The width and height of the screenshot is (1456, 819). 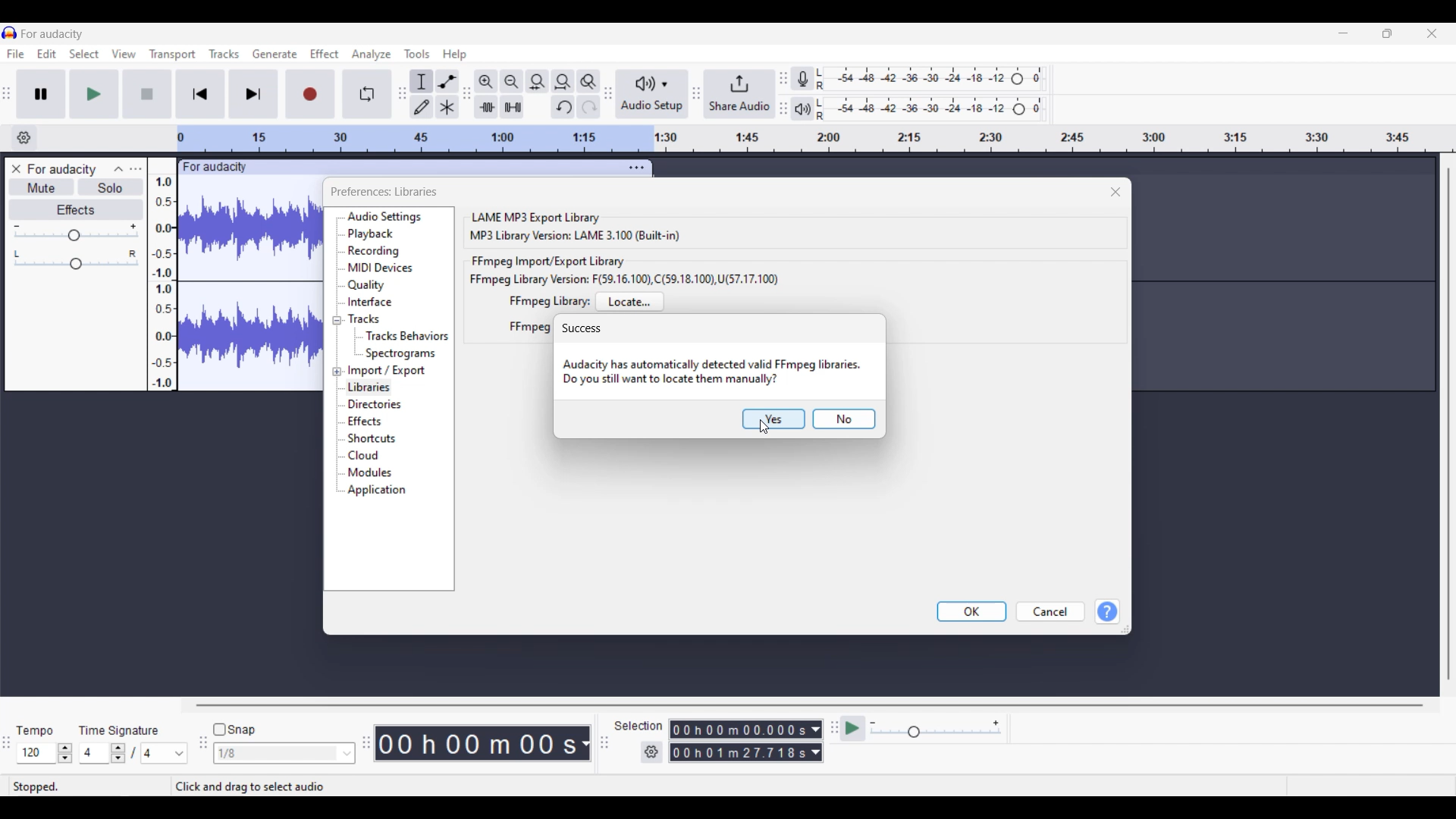 I want to click on timestamp, so click(x=482, y=743).